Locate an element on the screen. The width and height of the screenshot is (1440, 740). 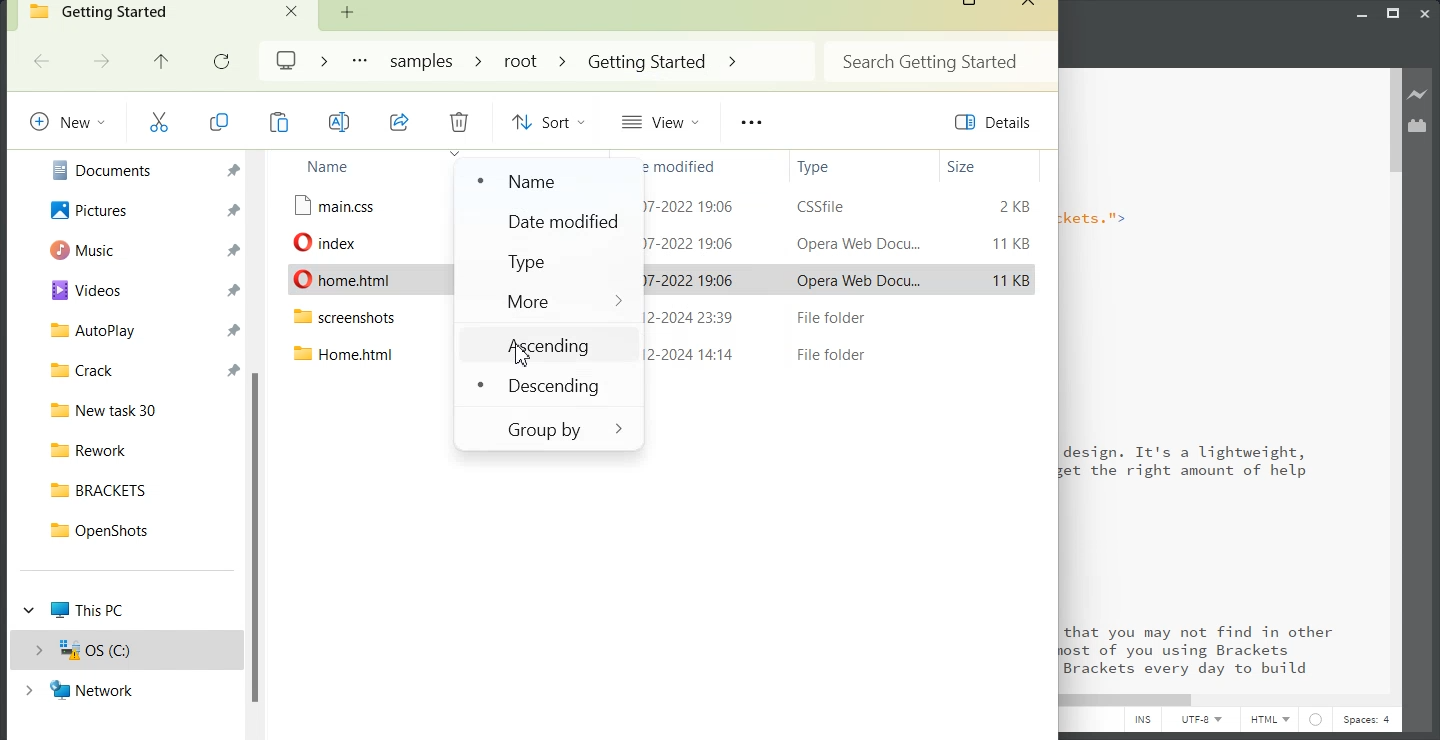
CSSfile is located at coordinates (826, 206).